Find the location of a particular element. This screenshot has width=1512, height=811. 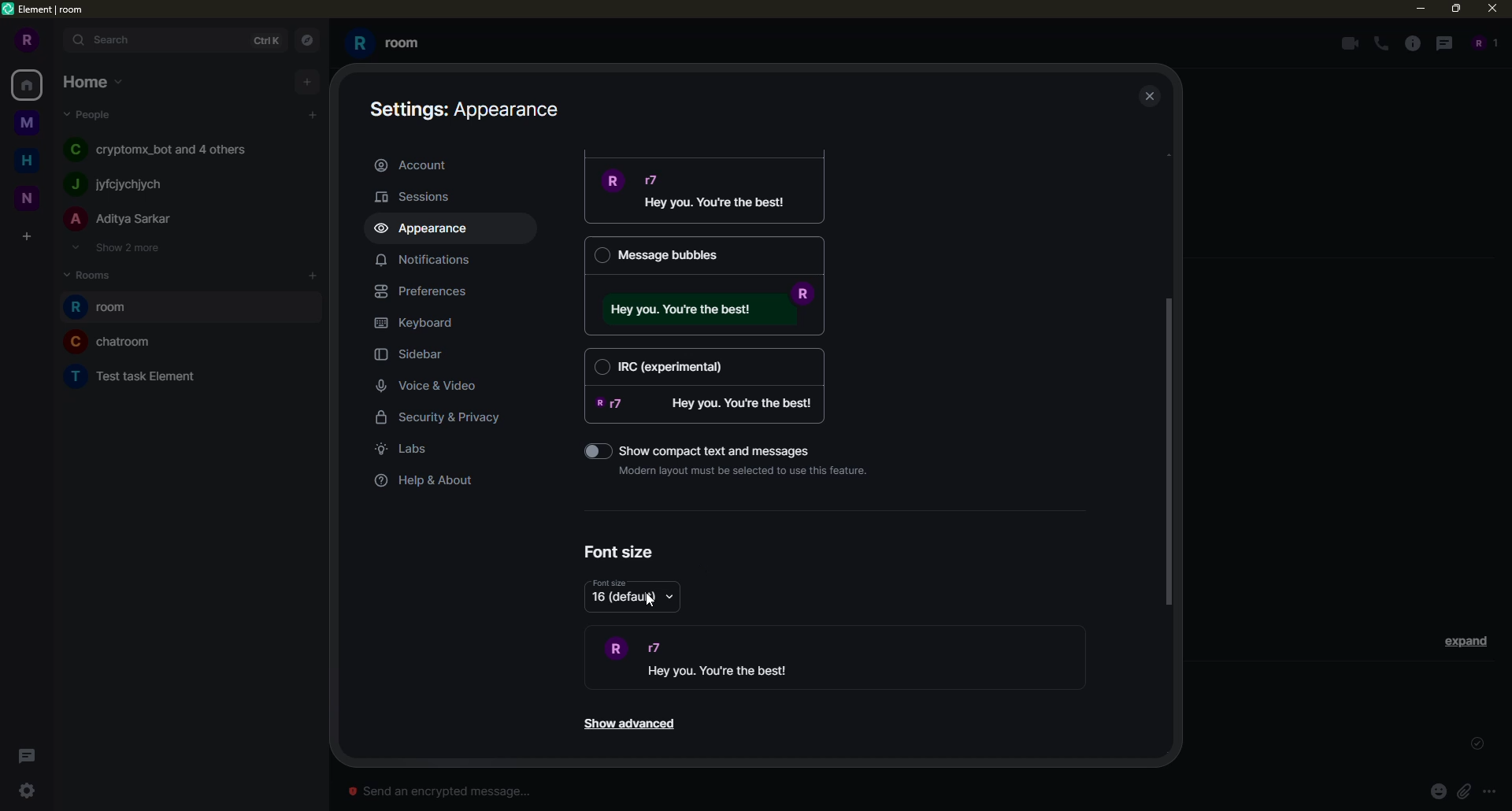

‘Show compact text and messages is located at coordinates (724, 448).